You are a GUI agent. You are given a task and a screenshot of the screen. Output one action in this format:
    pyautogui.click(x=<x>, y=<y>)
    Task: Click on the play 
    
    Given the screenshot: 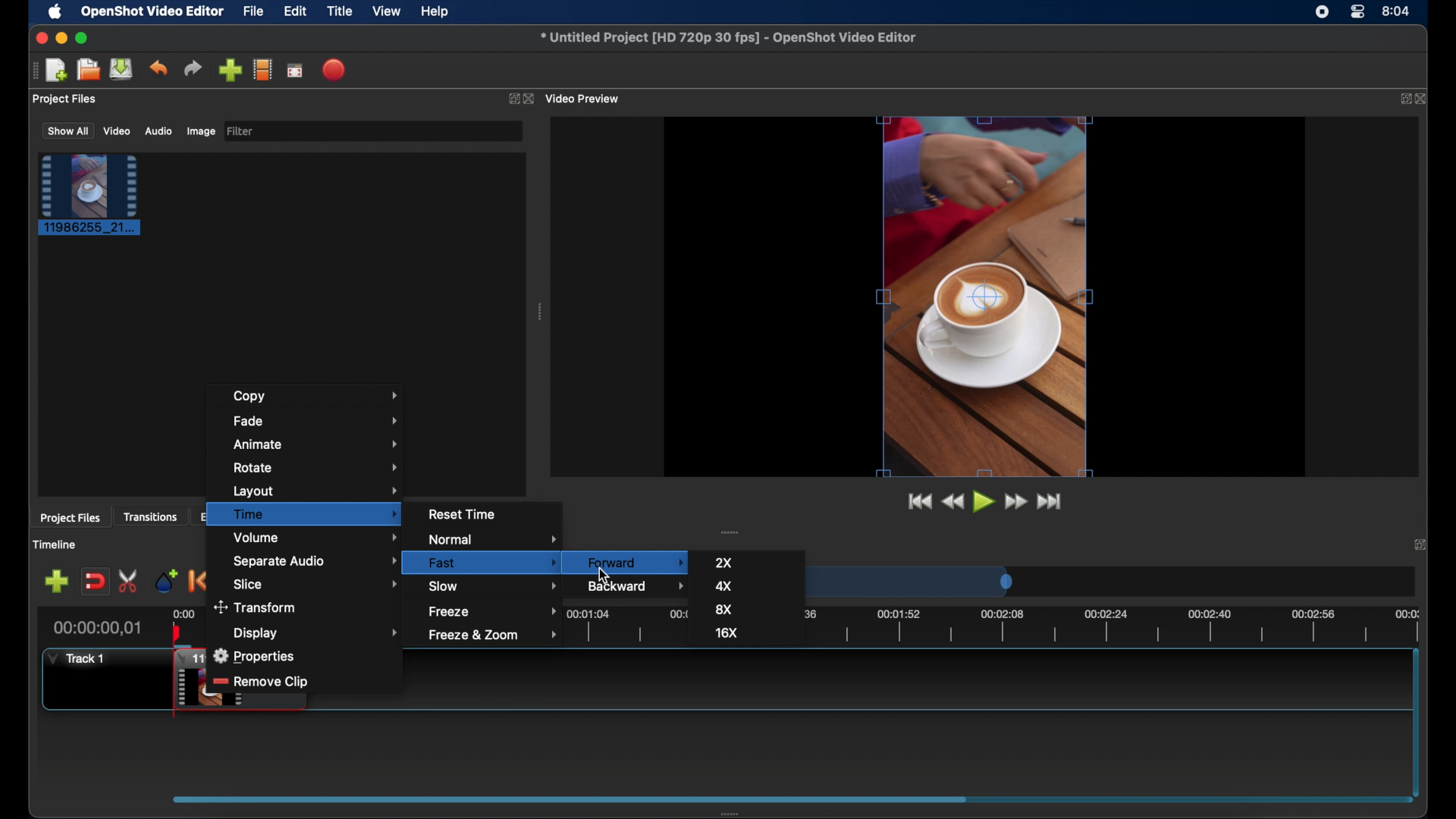 What is the action you would take?
    pyautogui.click(x=982, y=501)
    